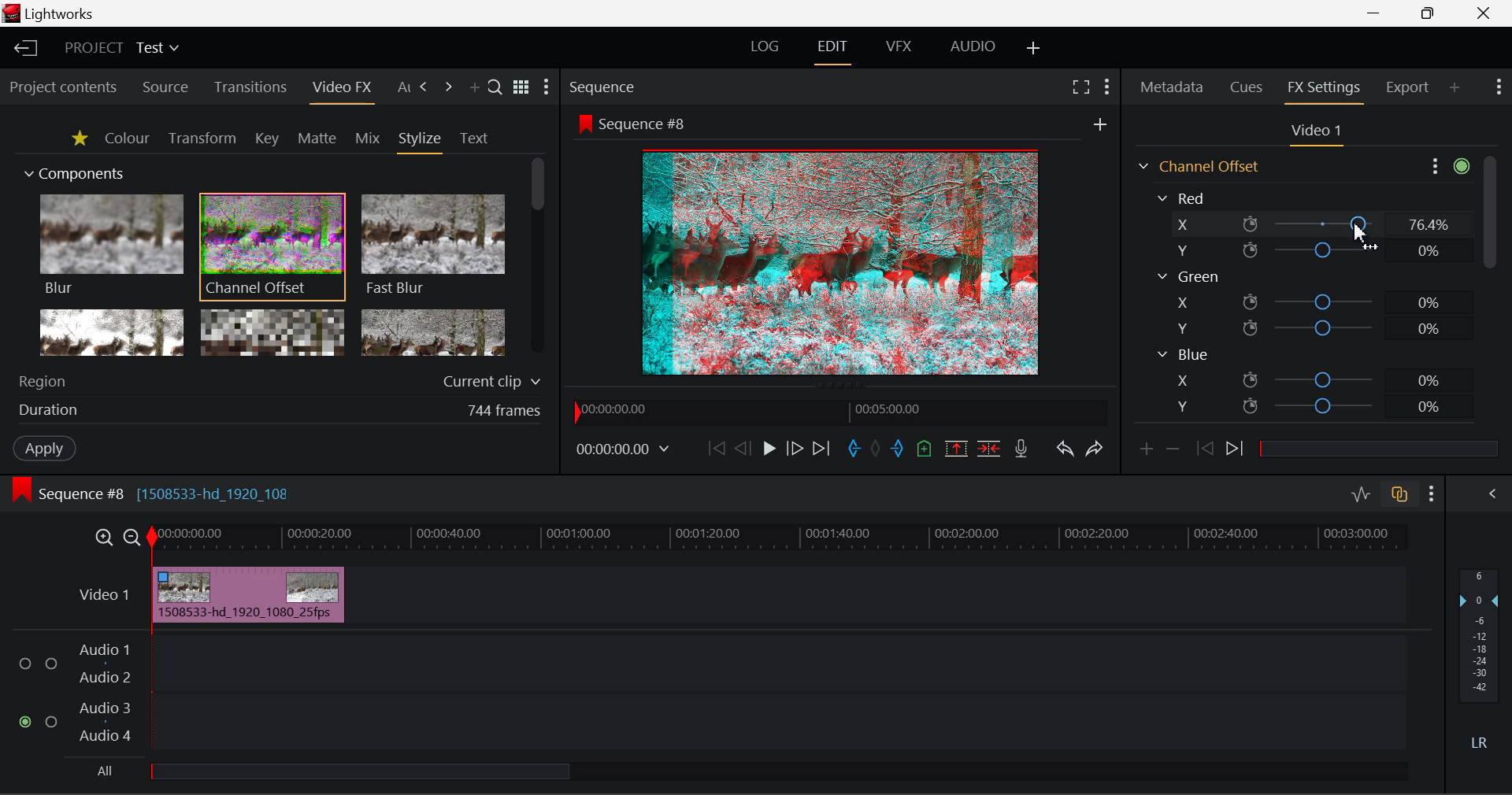  Describe the element at coordinates (1237, 451) in the screenshot. I see `Next keyframe` at that location.